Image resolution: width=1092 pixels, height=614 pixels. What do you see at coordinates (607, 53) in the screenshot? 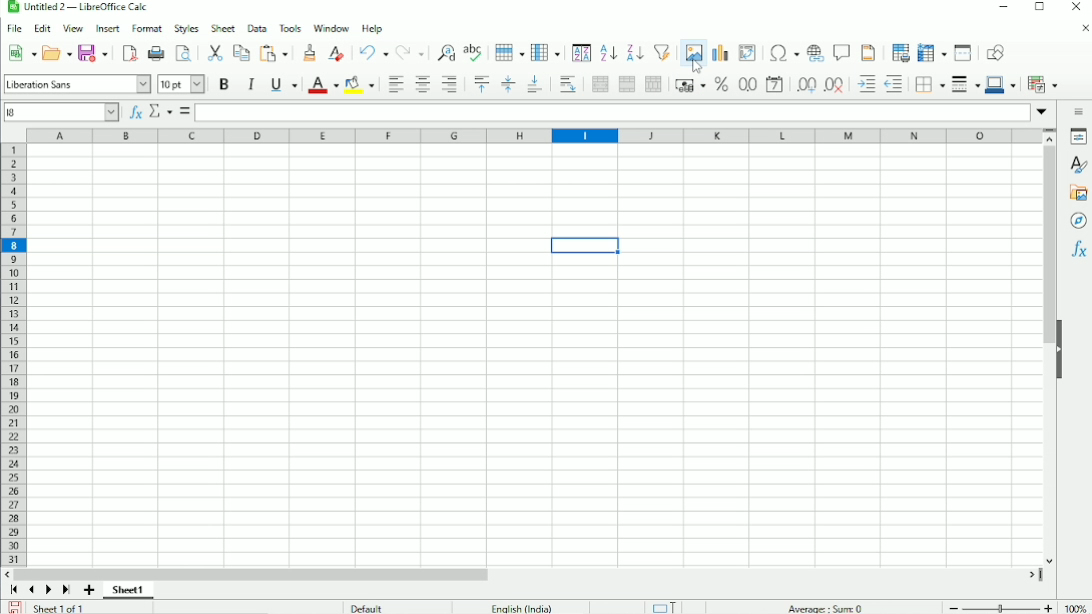
I see `Sort ascending` at bounding box center [607, 53].